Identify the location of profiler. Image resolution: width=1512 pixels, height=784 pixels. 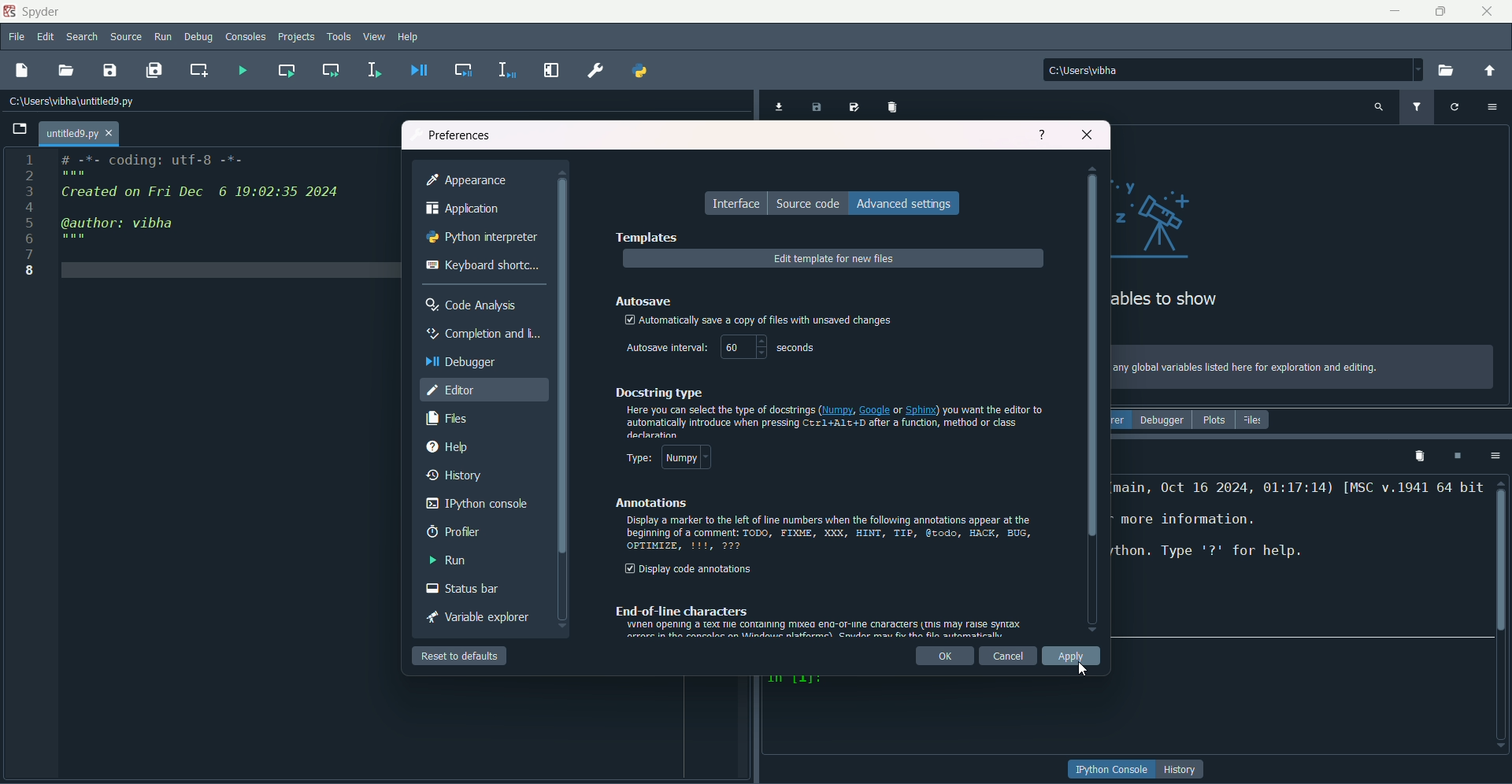
(450, 533).